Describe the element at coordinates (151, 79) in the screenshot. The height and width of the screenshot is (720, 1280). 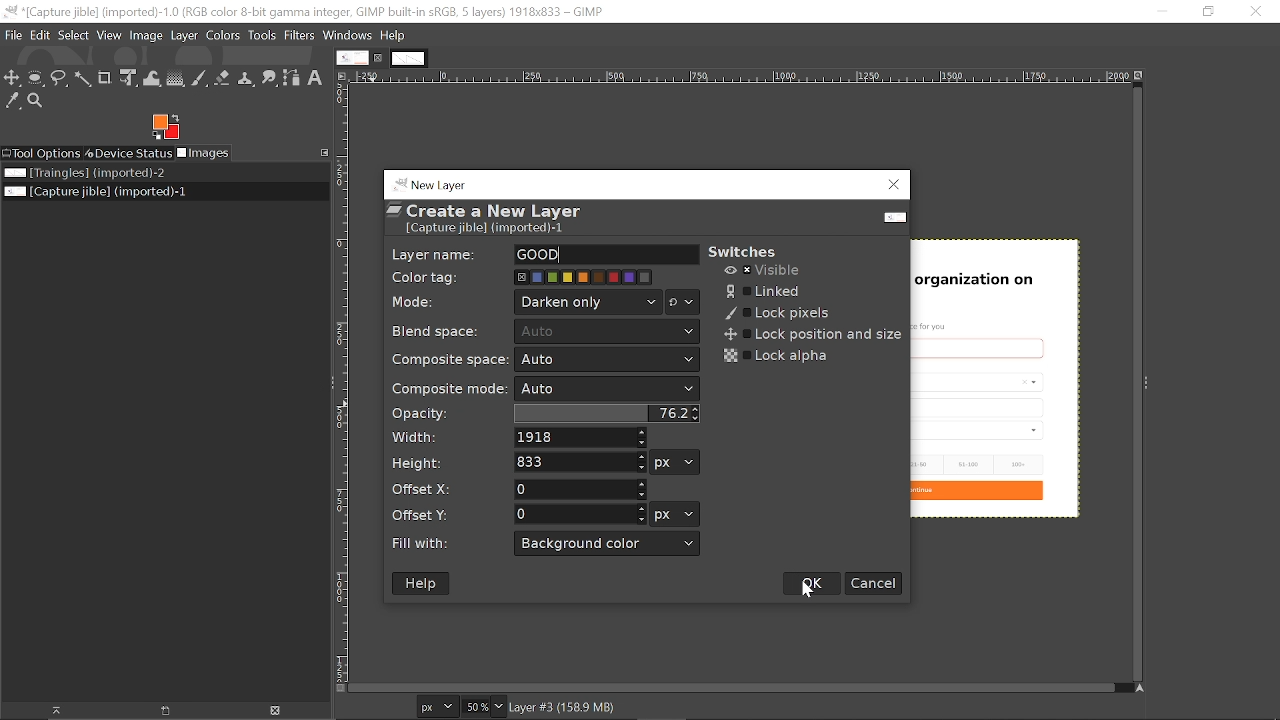
I see `Wrap text tool` at that location.